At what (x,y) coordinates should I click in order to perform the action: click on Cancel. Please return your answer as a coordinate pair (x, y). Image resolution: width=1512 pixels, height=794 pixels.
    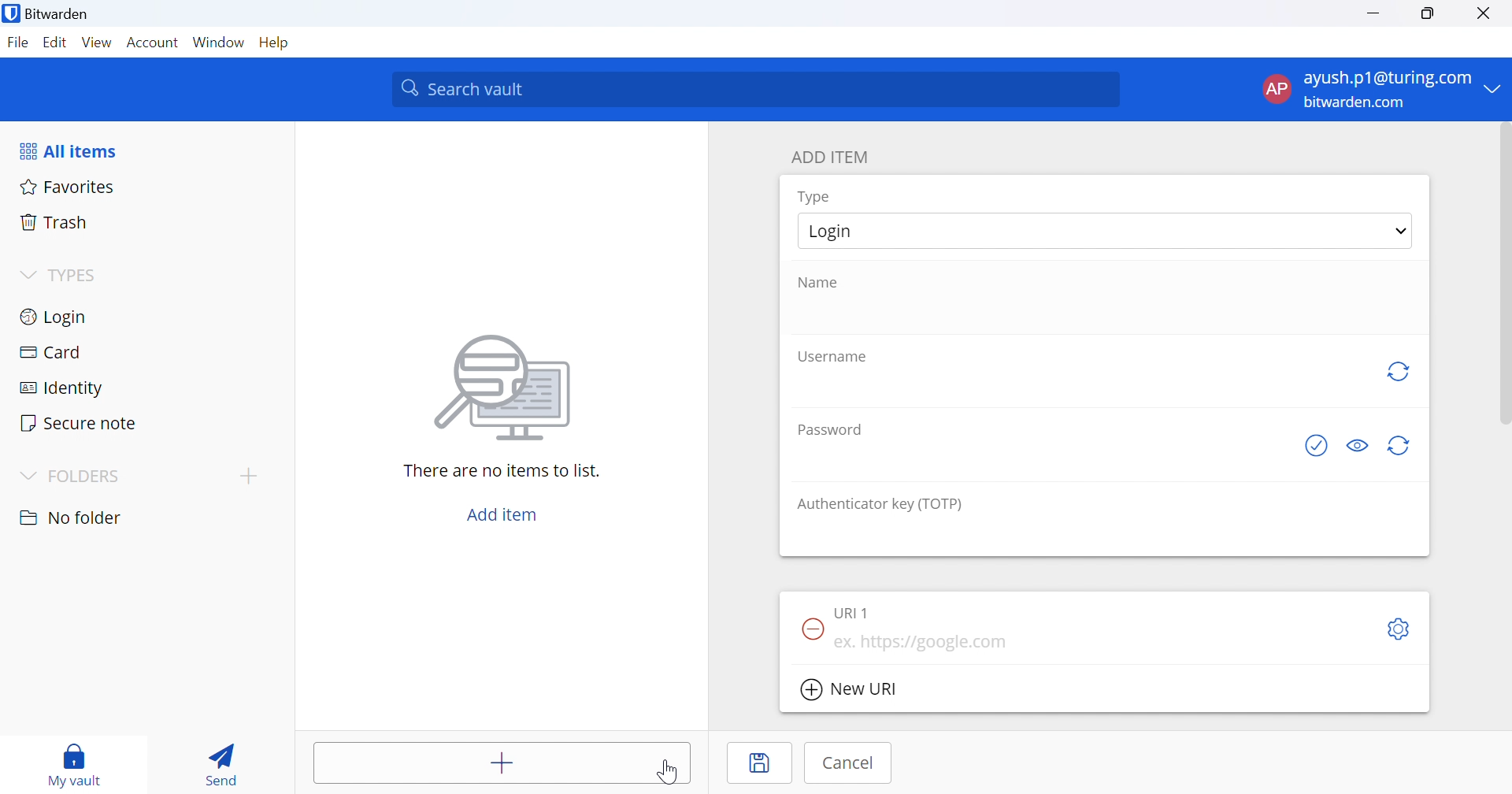
    Looking at the image, I should click on (847, 763).